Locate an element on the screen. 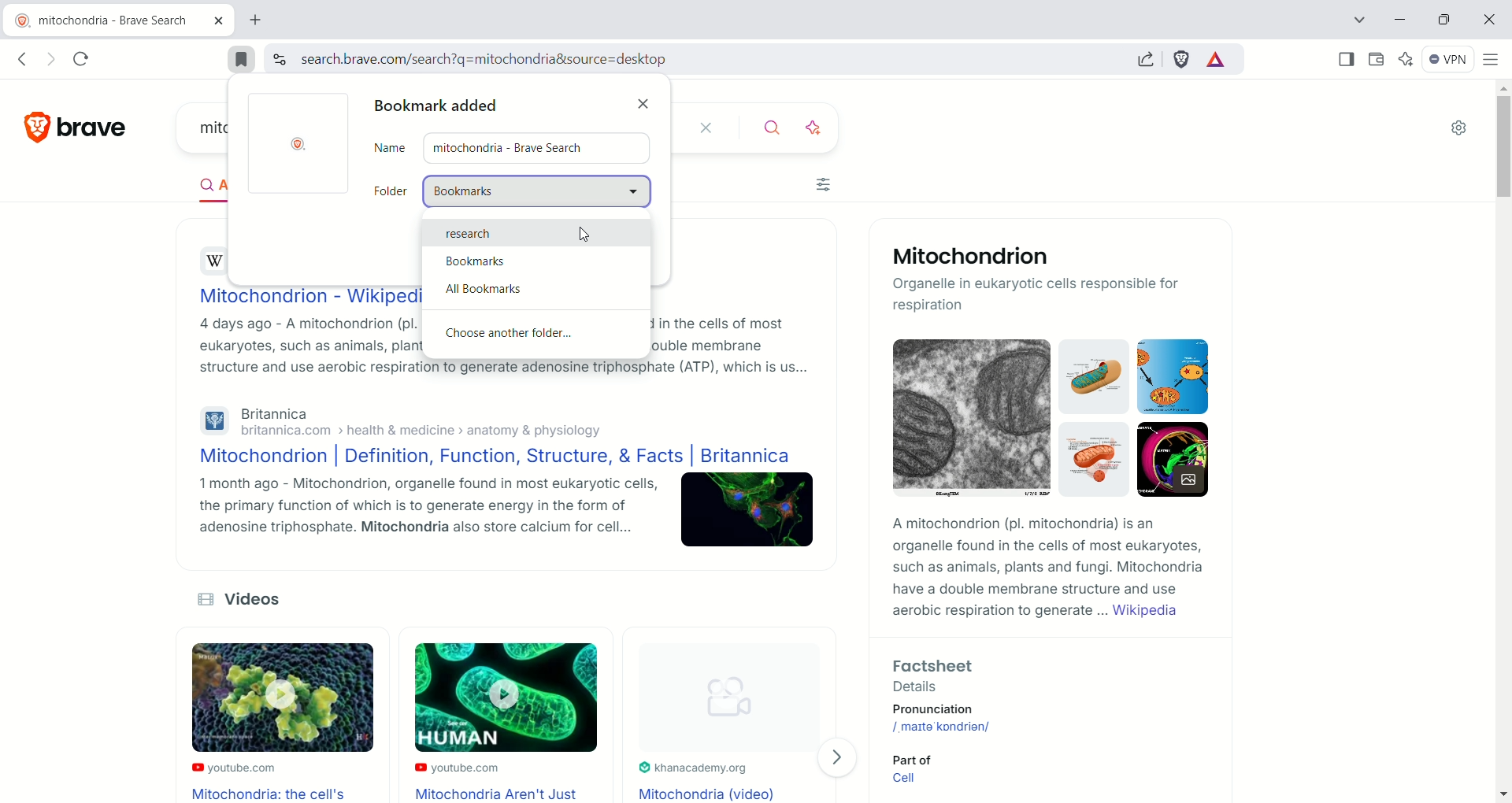 The width and height of the screenshot is (1512, 803). filter is located at coordinates (823, 187).